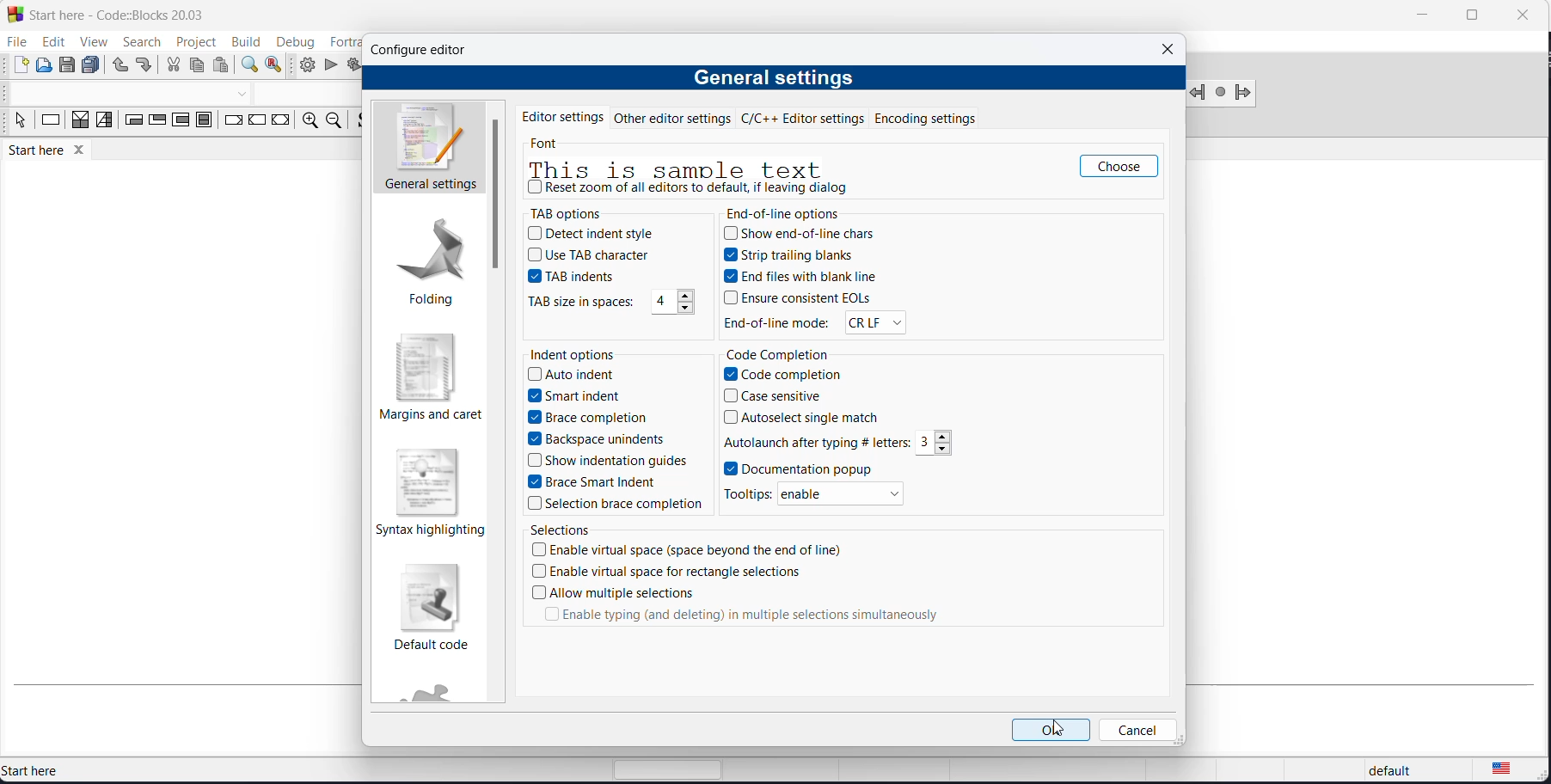 The image size is (1551, 784). What do you see at coordinates (671, 574) in the screenshot?
I see `enable virtual space for rectangle spacr` at bounding box center [671, 574].